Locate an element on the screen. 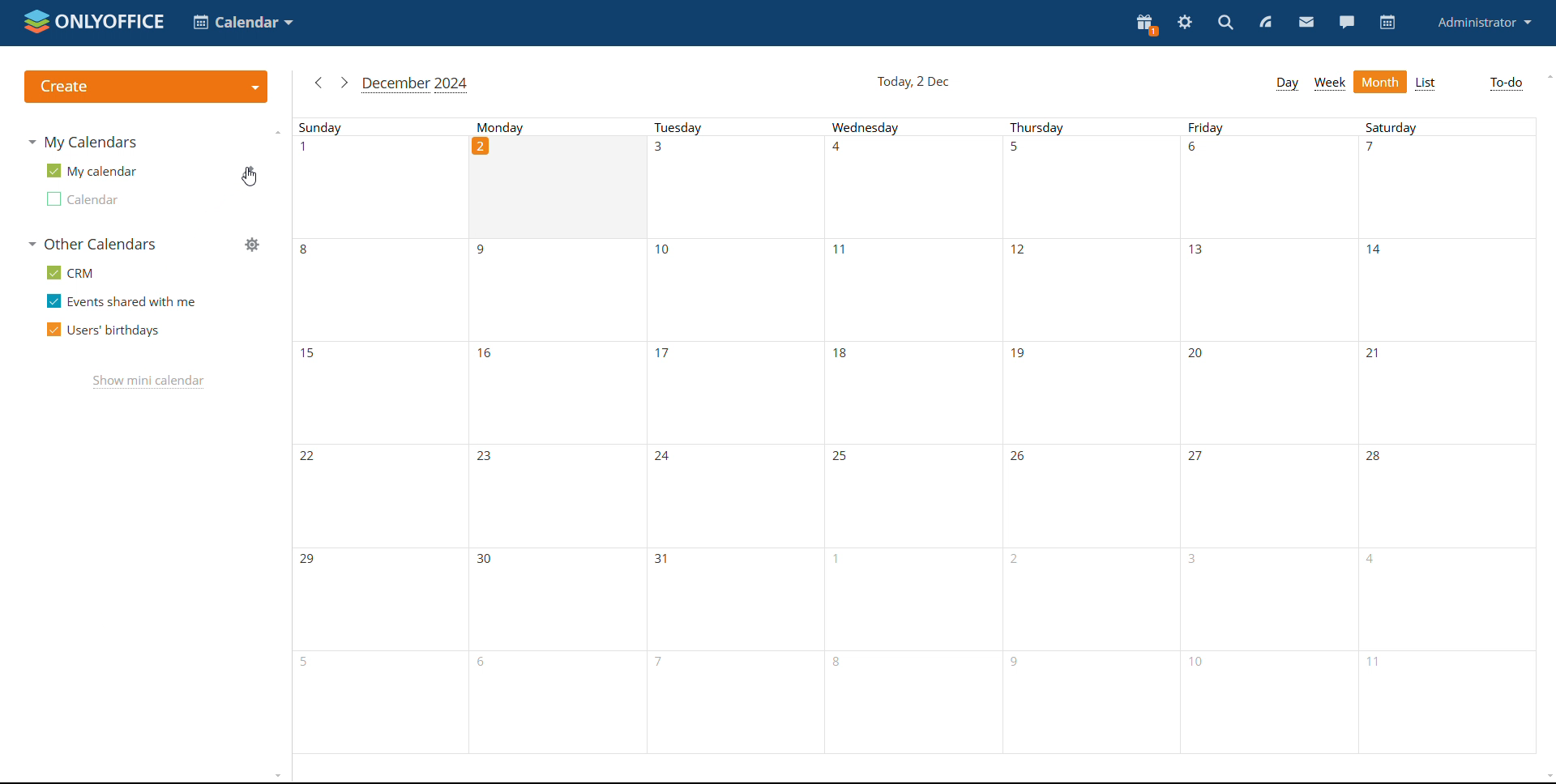 The width and height of the screenshot is (1556, 784). scroll up is located at coordinates (1549, 76).